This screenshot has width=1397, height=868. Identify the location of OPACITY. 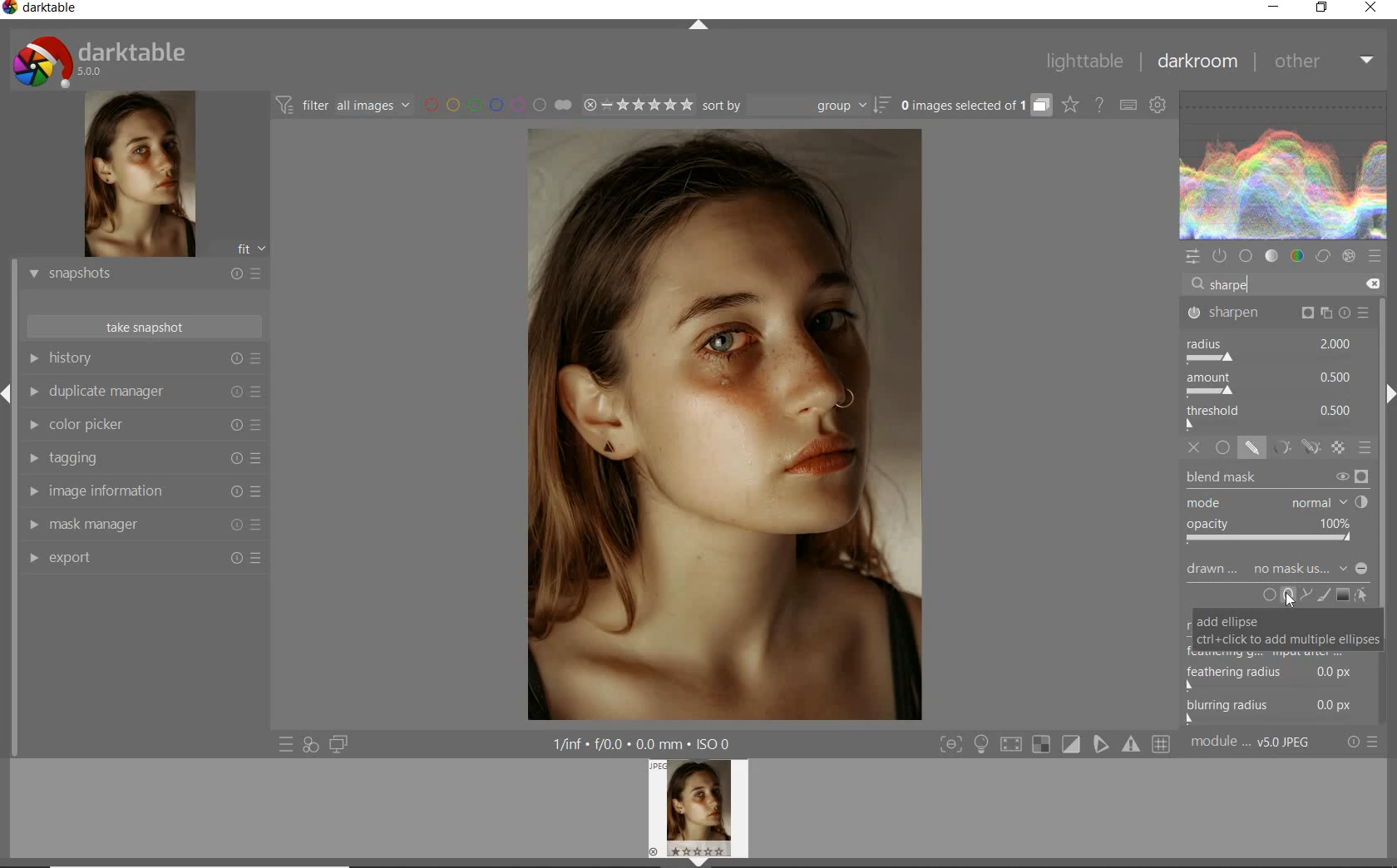
(1272, 532).